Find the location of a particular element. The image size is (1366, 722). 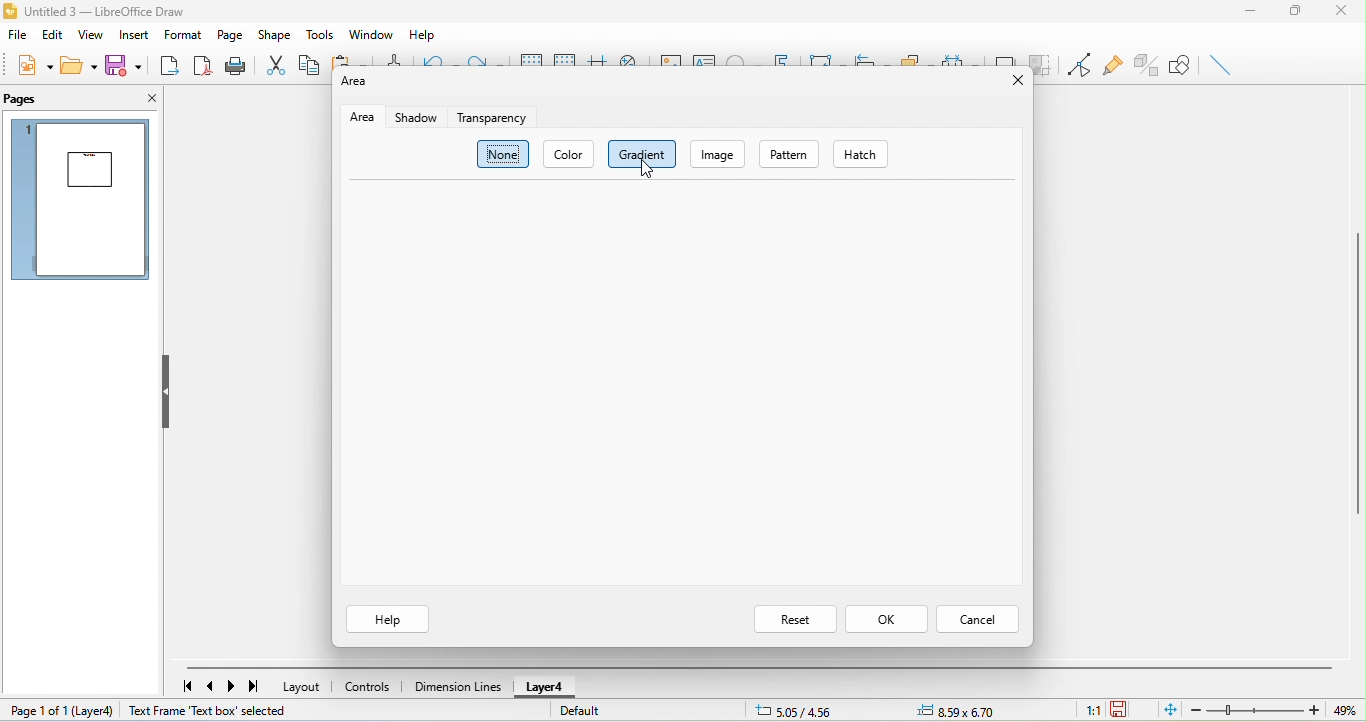

help is located at coordinates (384, 618).